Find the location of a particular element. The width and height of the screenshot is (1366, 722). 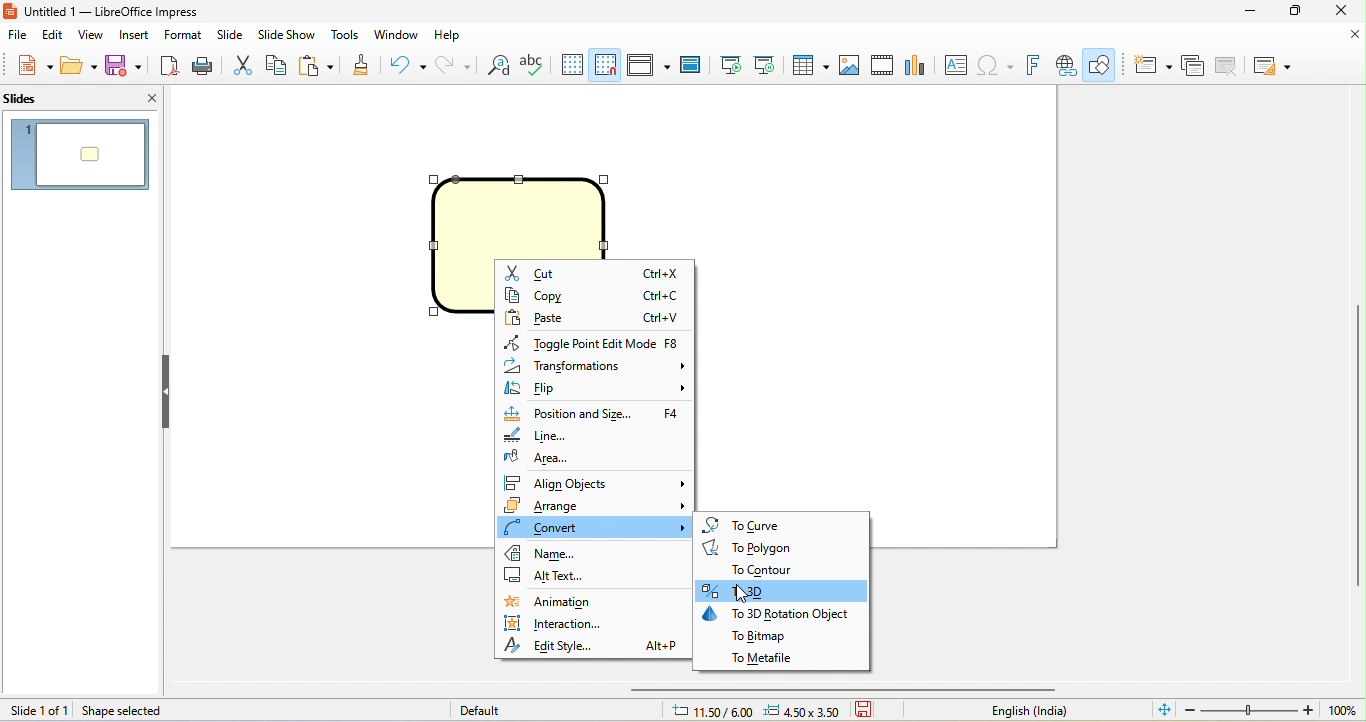

chart is located at coordinates (923, 65).